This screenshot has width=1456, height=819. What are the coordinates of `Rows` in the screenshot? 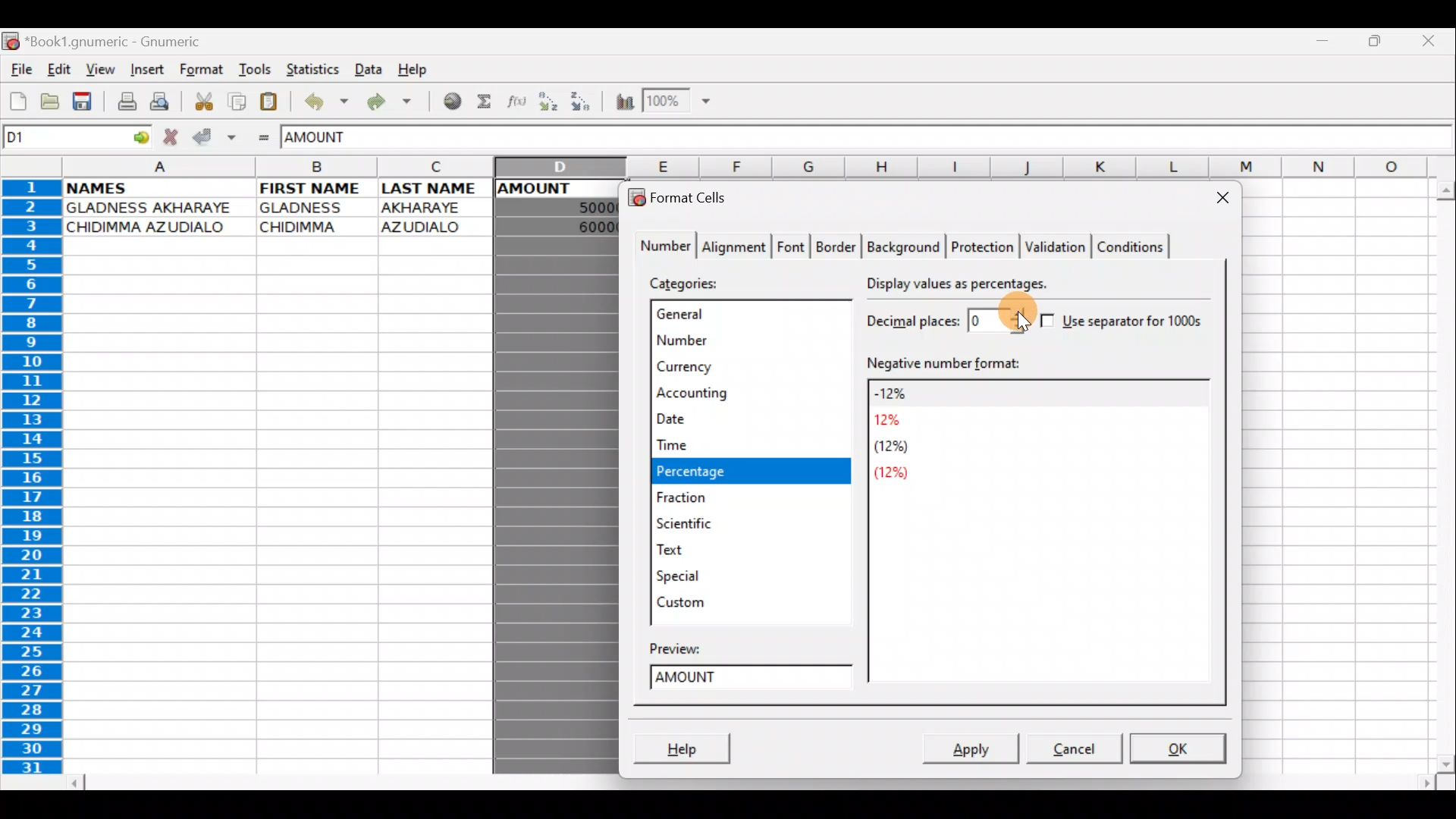 It's located at (38, 480).